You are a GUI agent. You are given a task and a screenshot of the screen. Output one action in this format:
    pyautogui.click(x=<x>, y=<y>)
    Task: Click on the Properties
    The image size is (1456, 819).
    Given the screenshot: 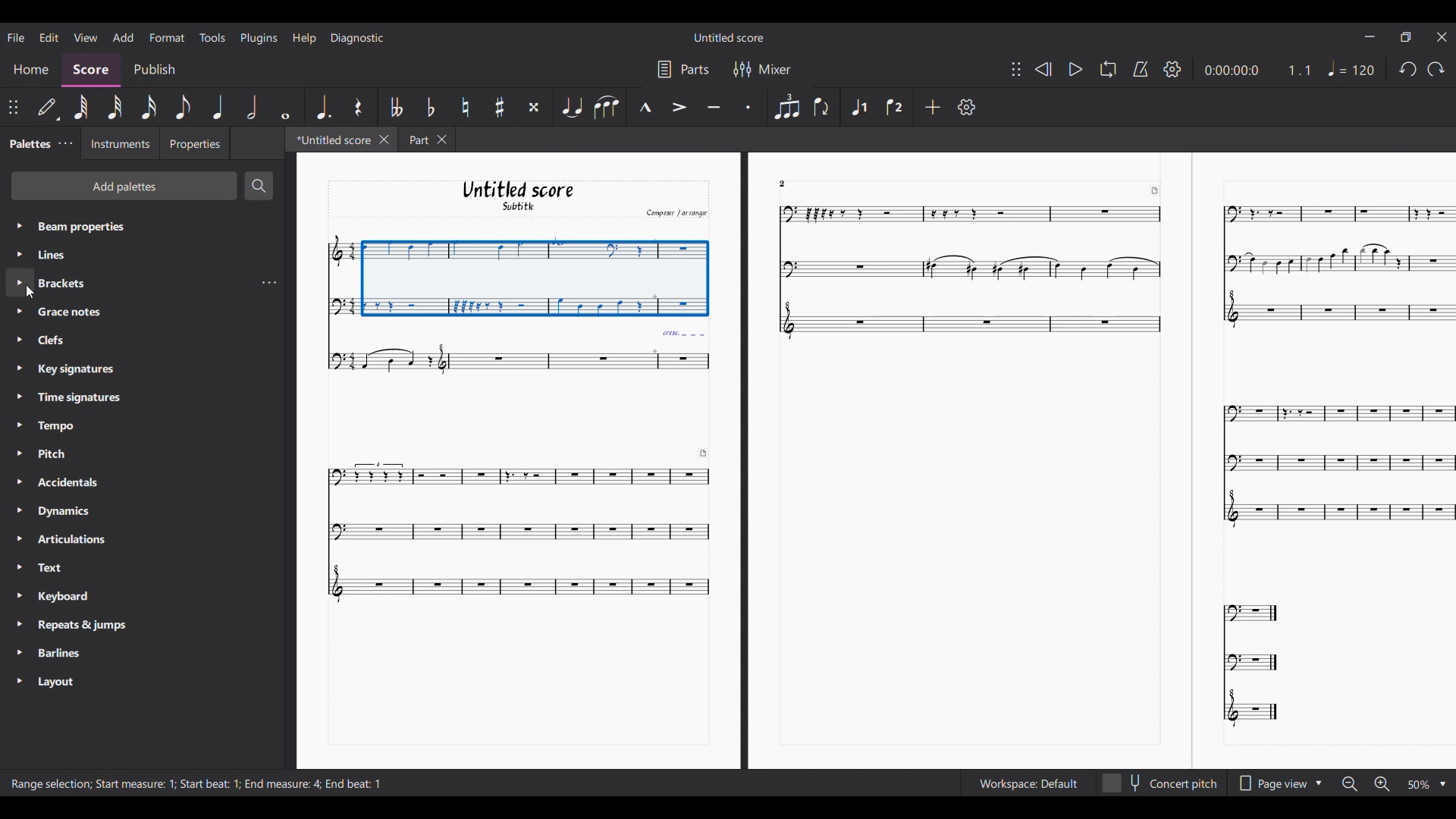 What is the action you would take?
    pyautogui.click(x=194, y=143)
    